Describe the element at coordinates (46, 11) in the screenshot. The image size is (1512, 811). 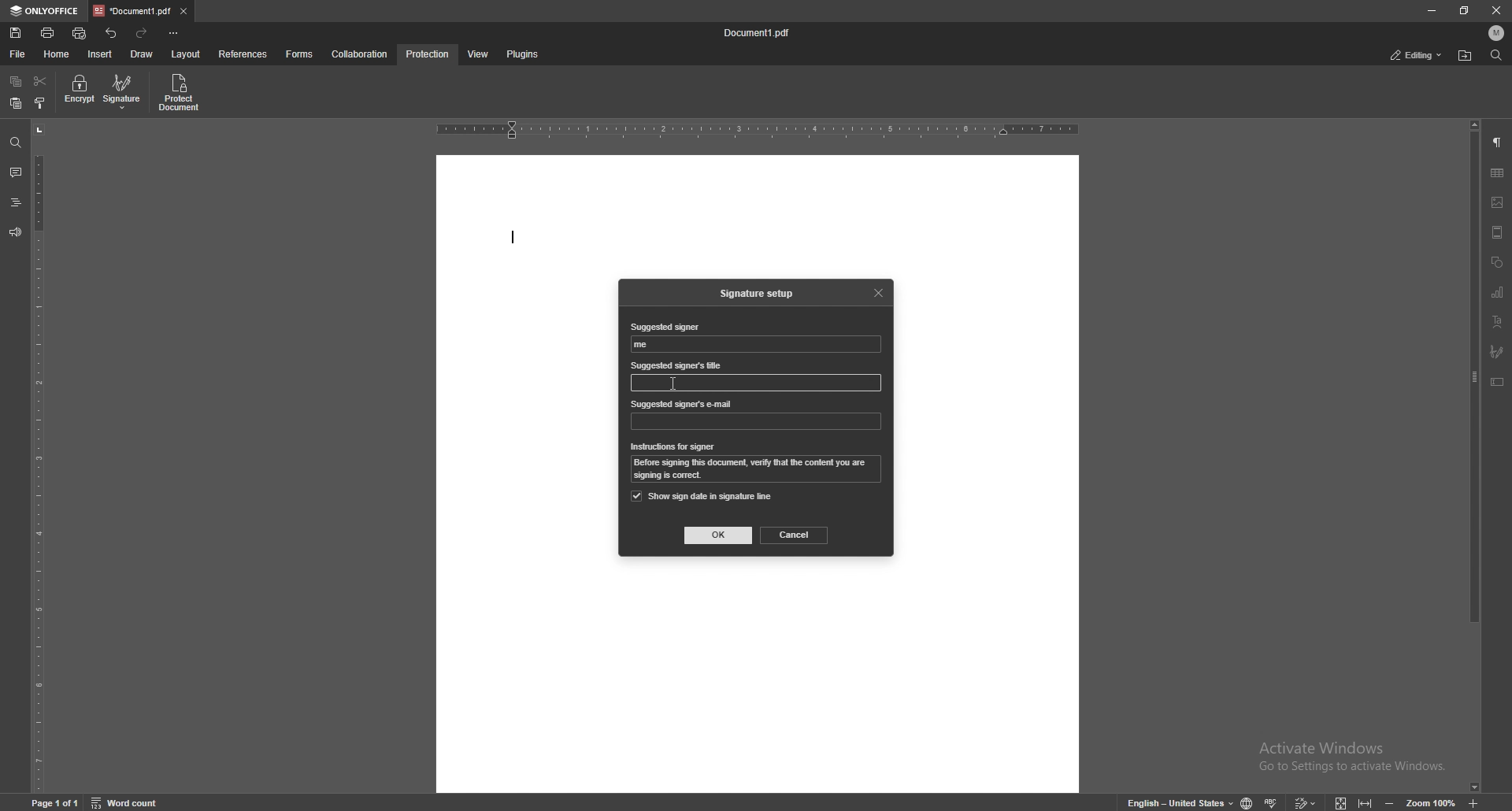
I see `onlyoffice` at that location.